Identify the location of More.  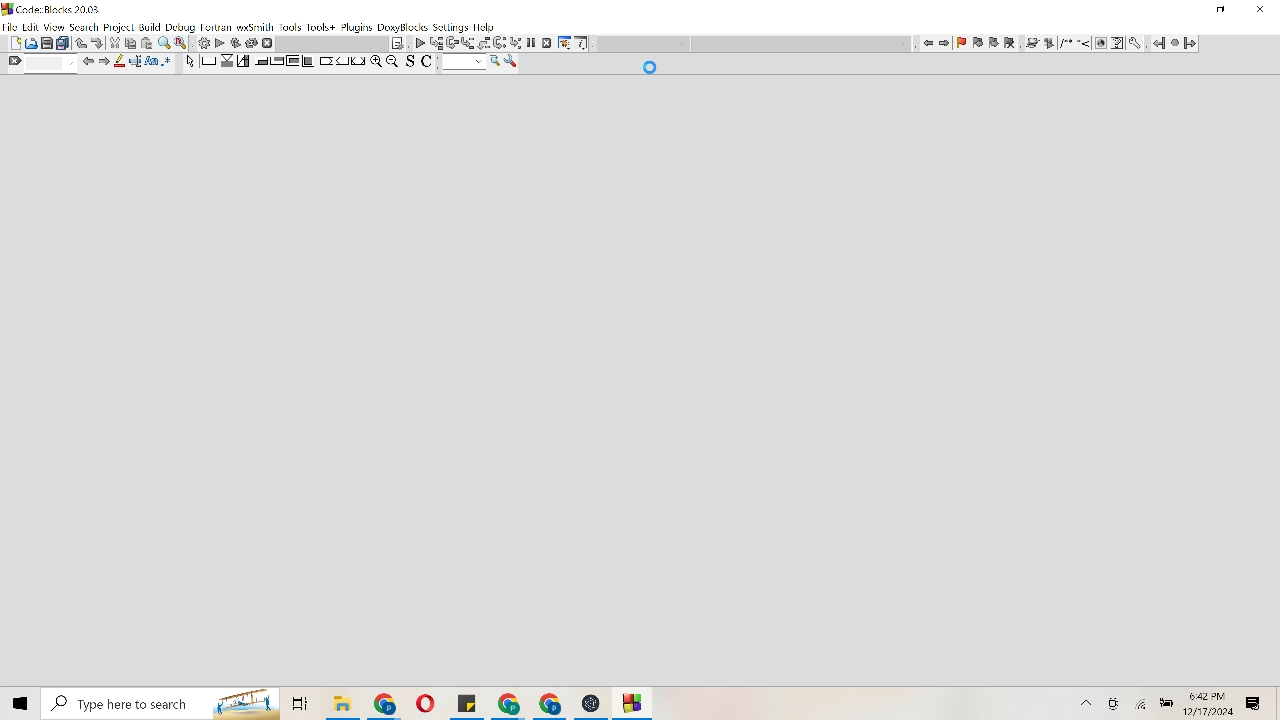
(1087, 703).